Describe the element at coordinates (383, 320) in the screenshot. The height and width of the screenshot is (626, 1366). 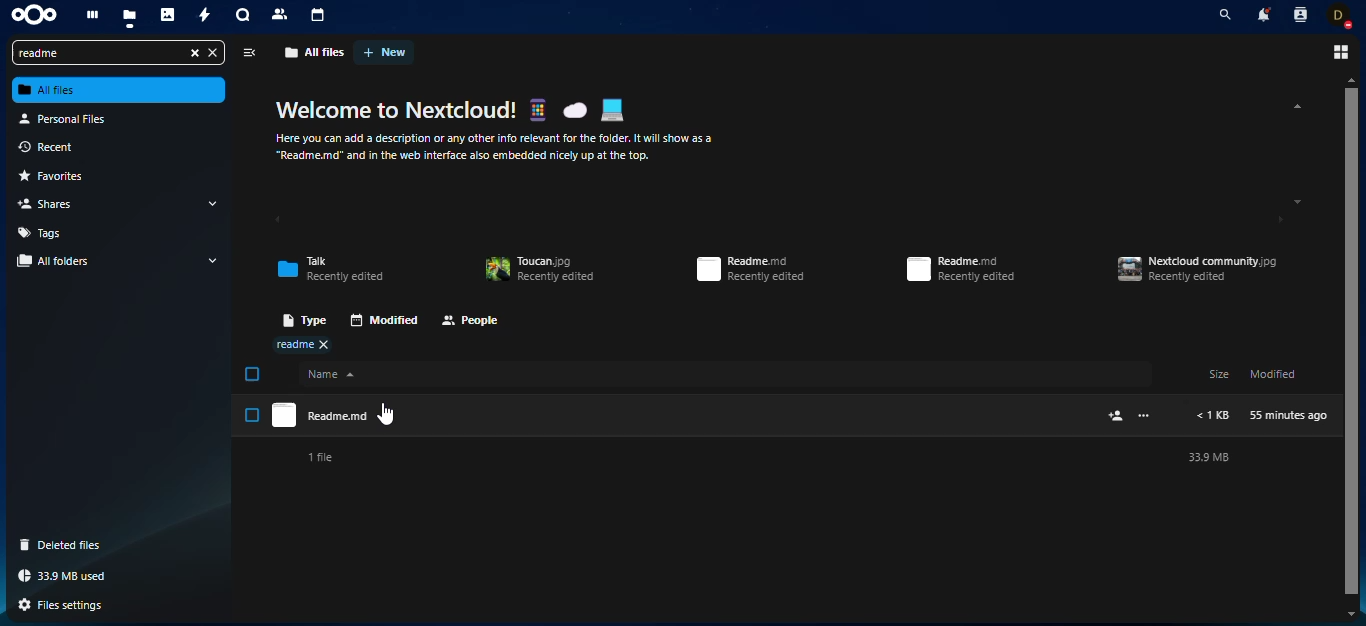
I see `modified` at that location.